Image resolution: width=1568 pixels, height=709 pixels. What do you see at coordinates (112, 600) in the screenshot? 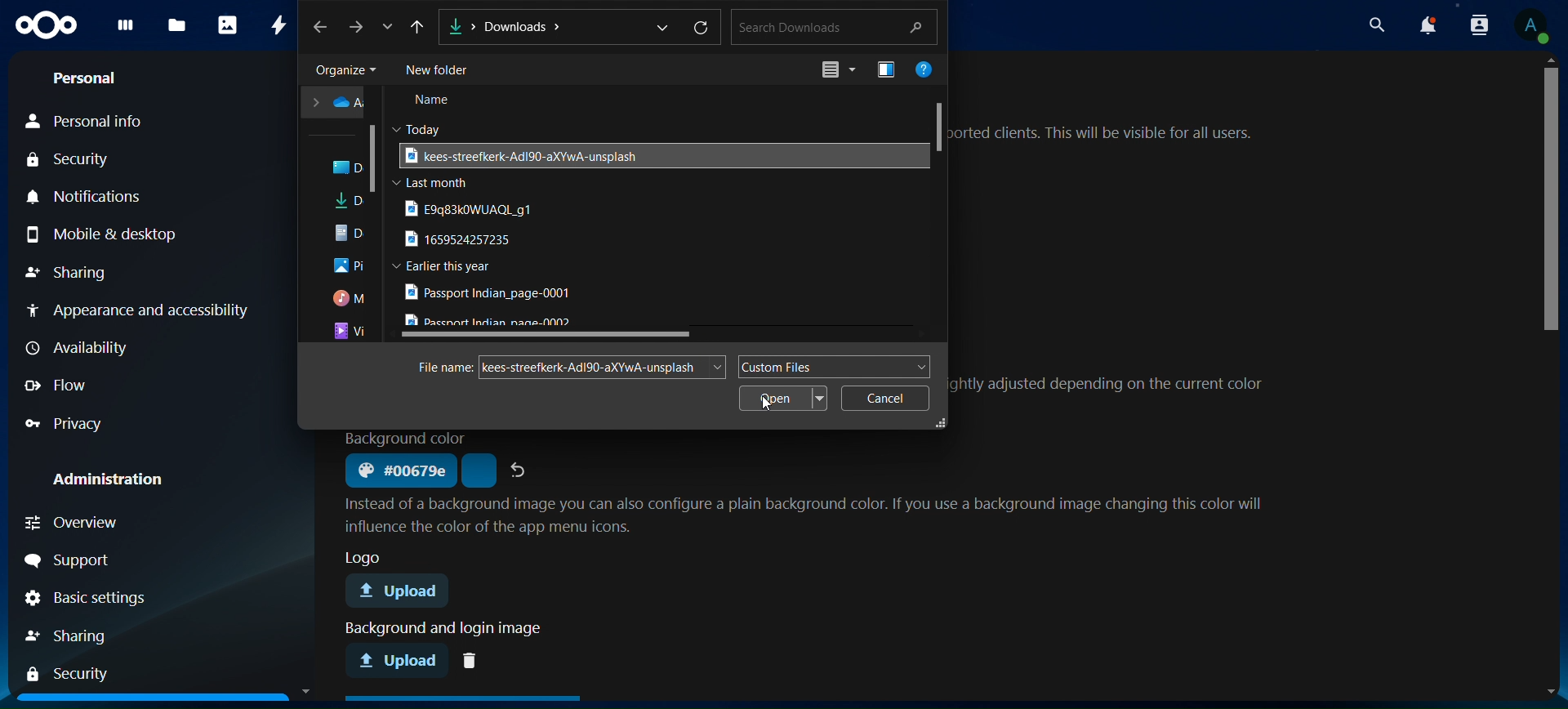
I see `basic settings` at bounding box center [112, 600].